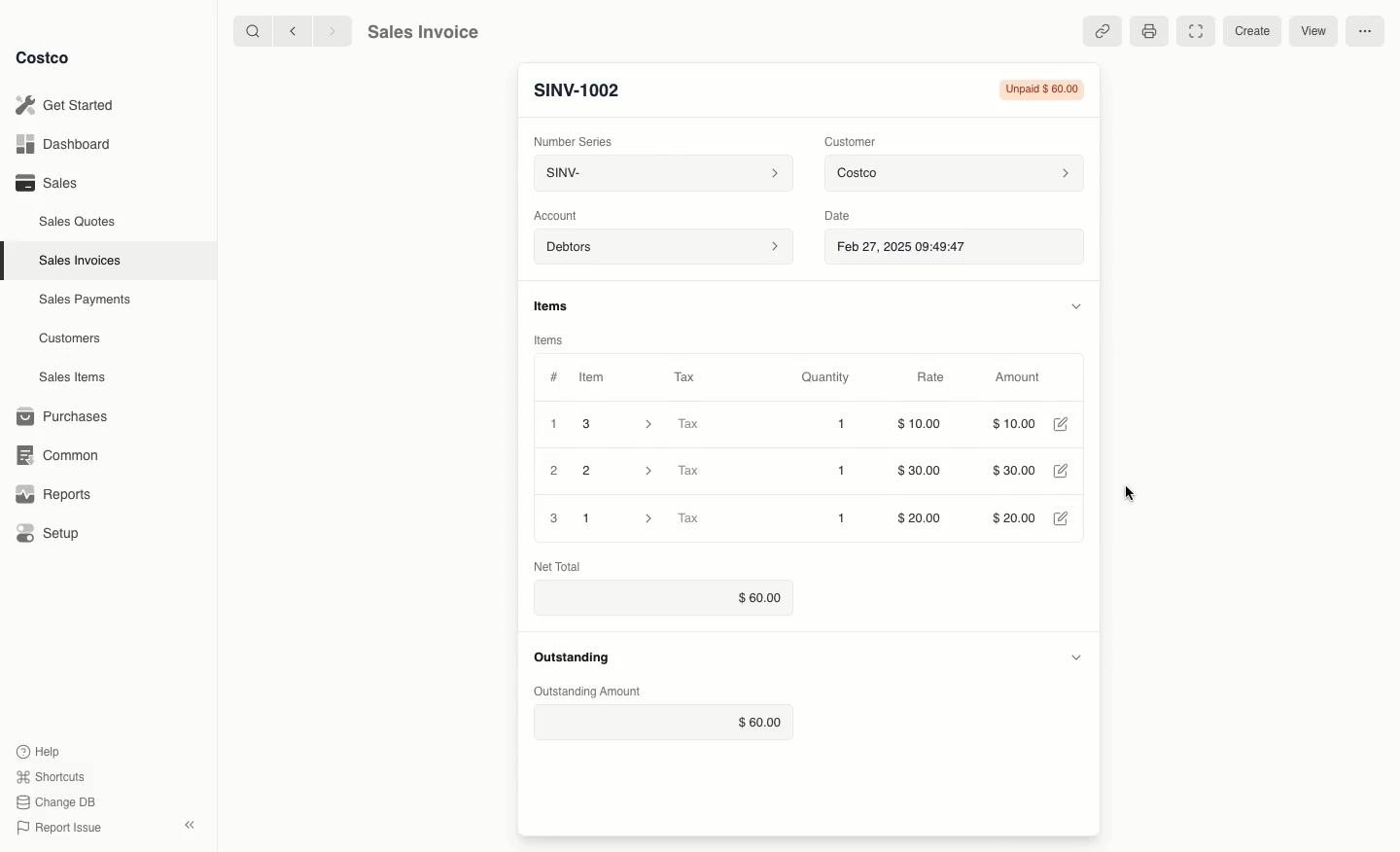 The image size is (1400, 852). What do you see at coordinates (663, 725) in the screenshot?
I see `$60.00` at bounding box center [663, 725].